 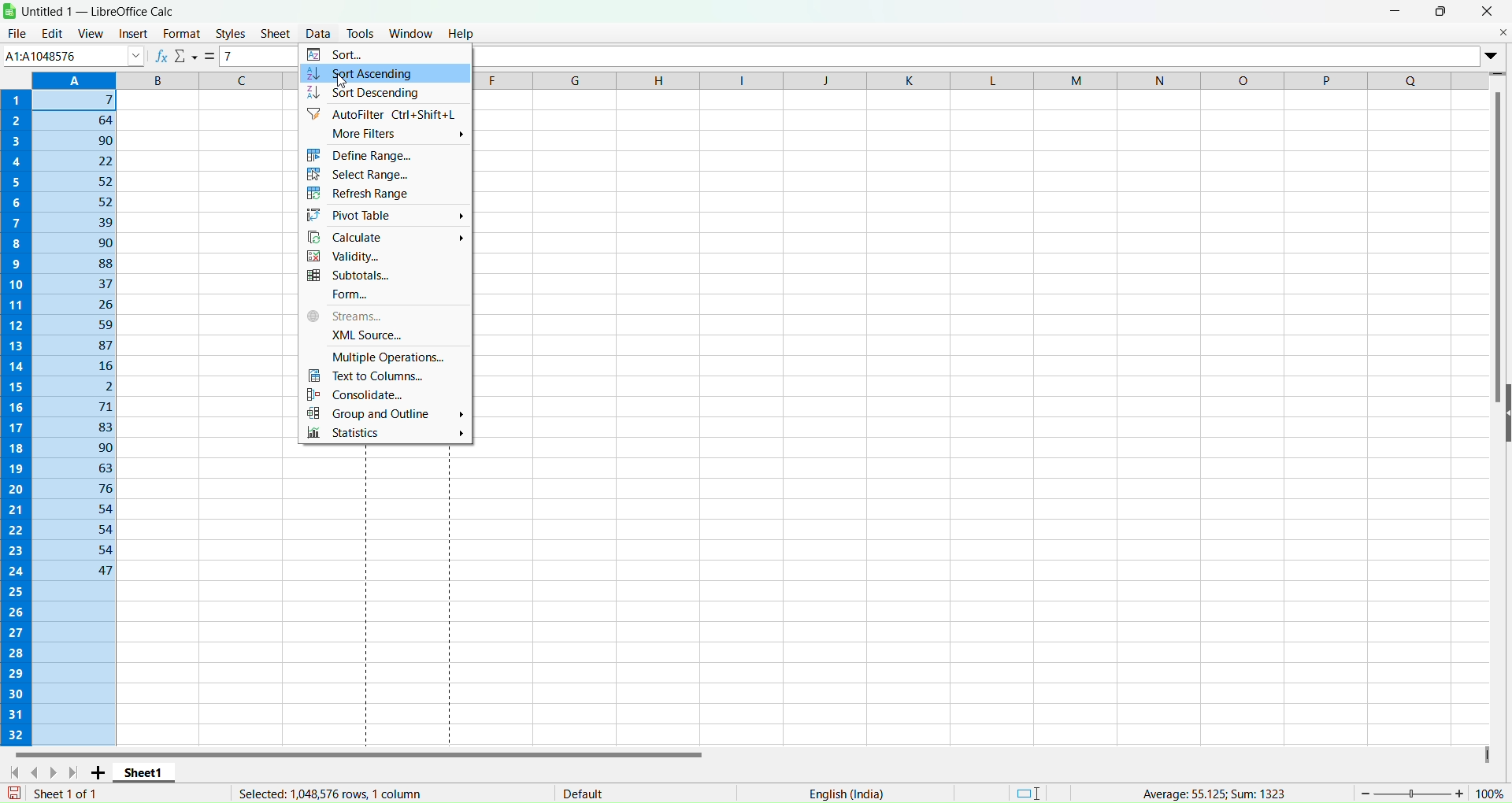 I want to click on Vertical Scroll Bar, so click(x=1499, y=249).